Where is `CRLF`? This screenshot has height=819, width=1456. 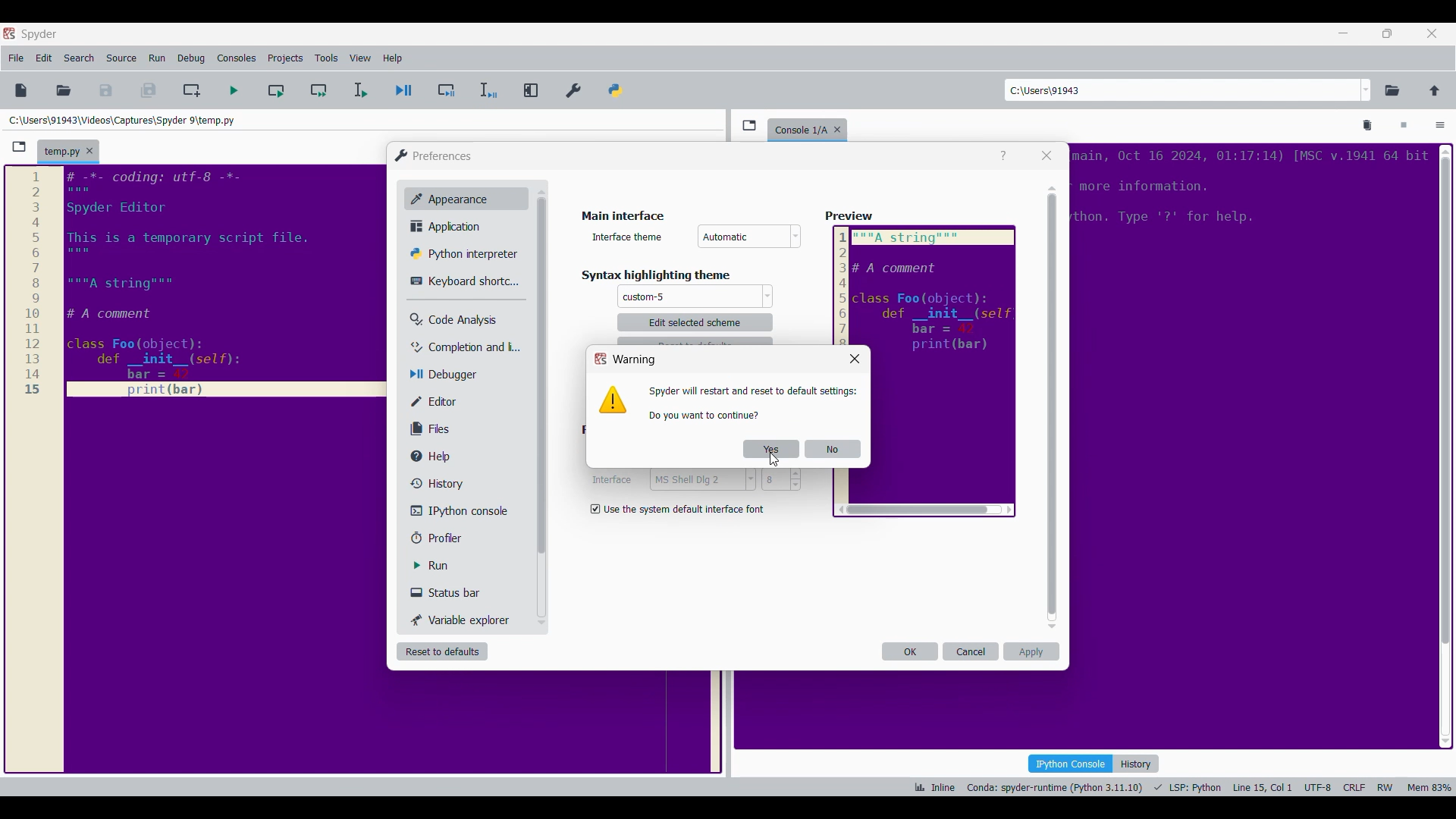
CRLF is located at coordinates (1354, 786).